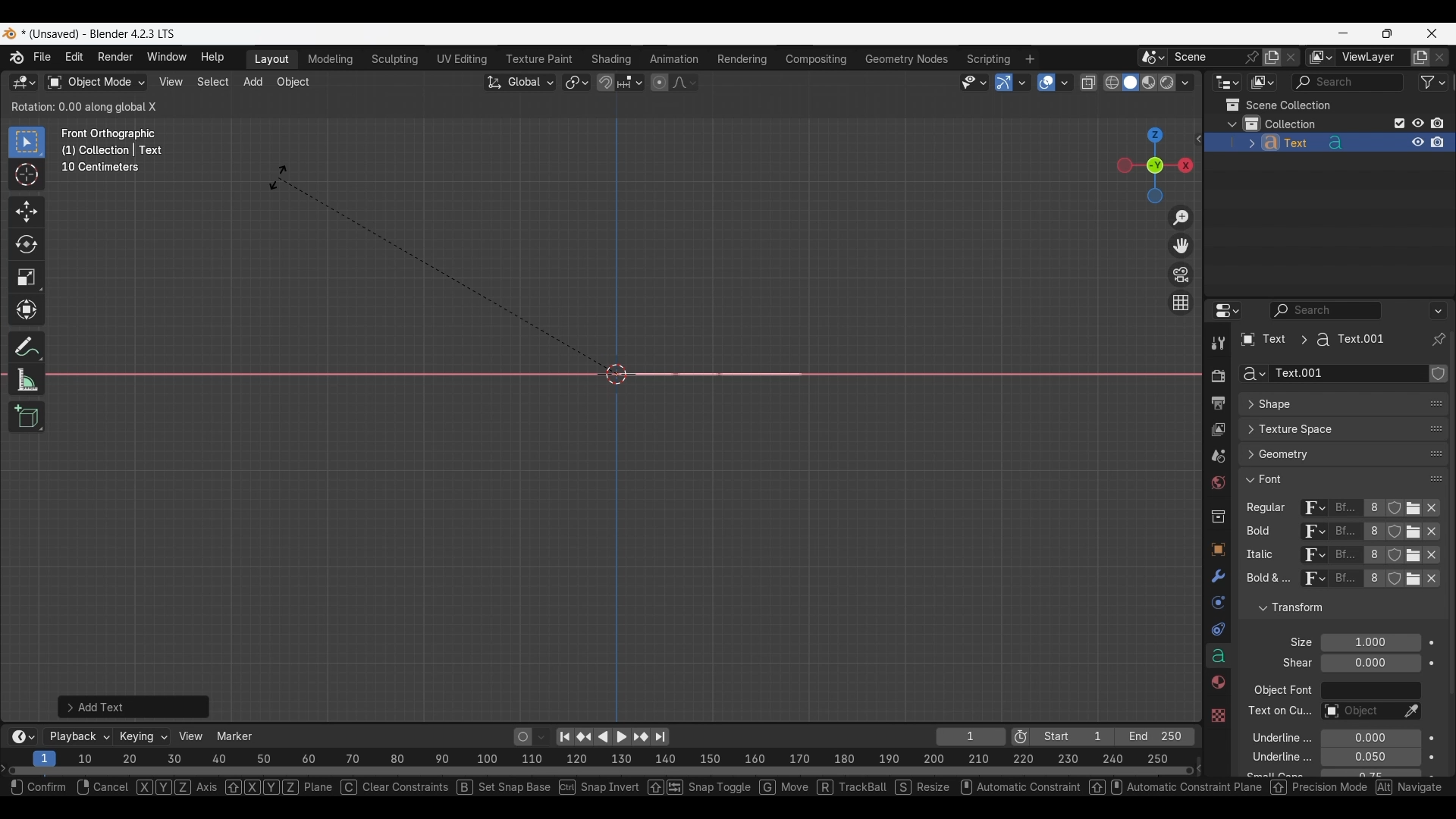 This screenshot has width=1456, height=819. Describe the element at coordinates (906, 58) in the screenshot. I see `Geometry nodes workspace` at that location.